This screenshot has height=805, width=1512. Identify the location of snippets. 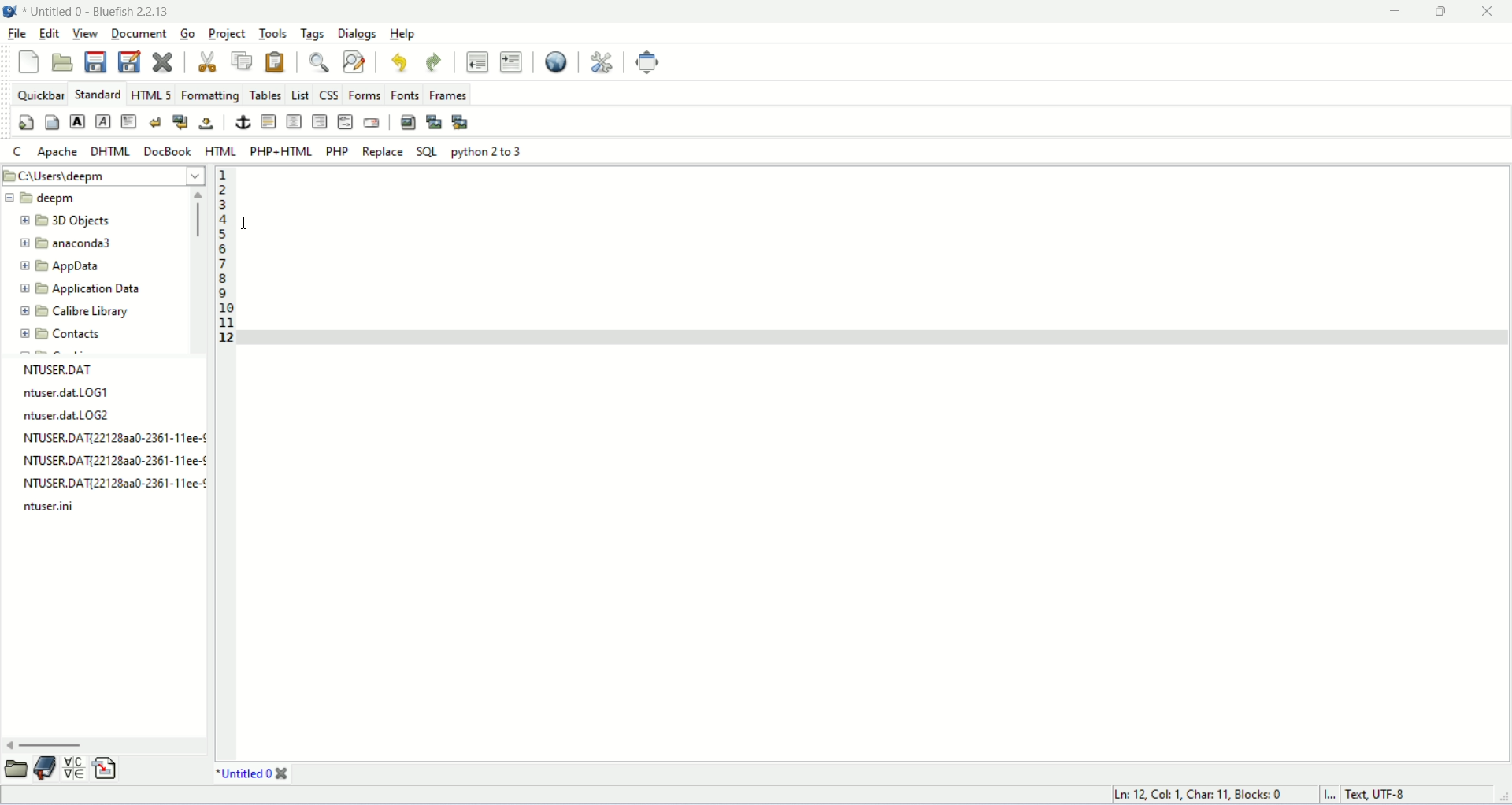
(108, 771).